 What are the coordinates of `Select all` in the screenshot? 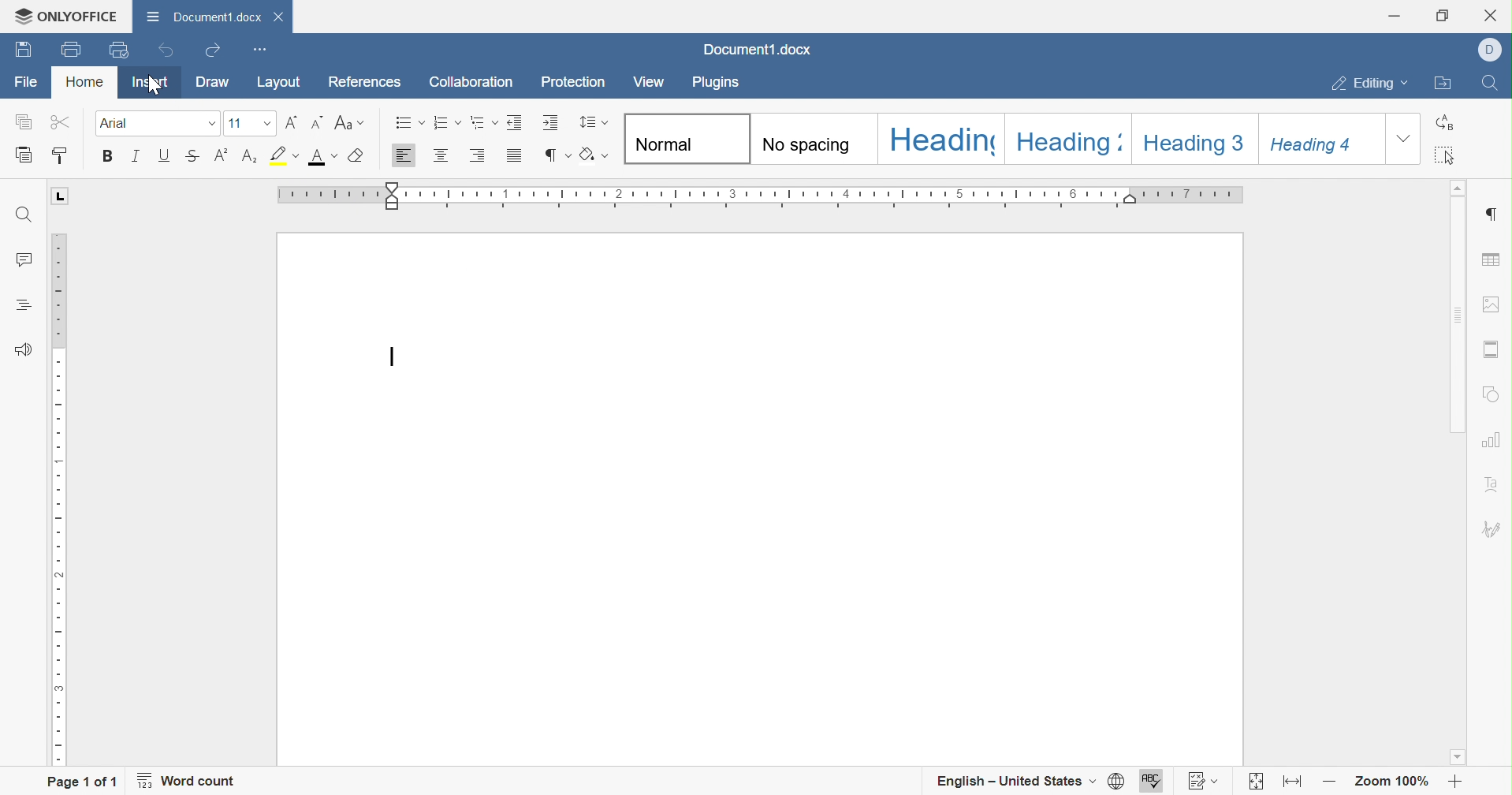 It's located at (1447, 157).